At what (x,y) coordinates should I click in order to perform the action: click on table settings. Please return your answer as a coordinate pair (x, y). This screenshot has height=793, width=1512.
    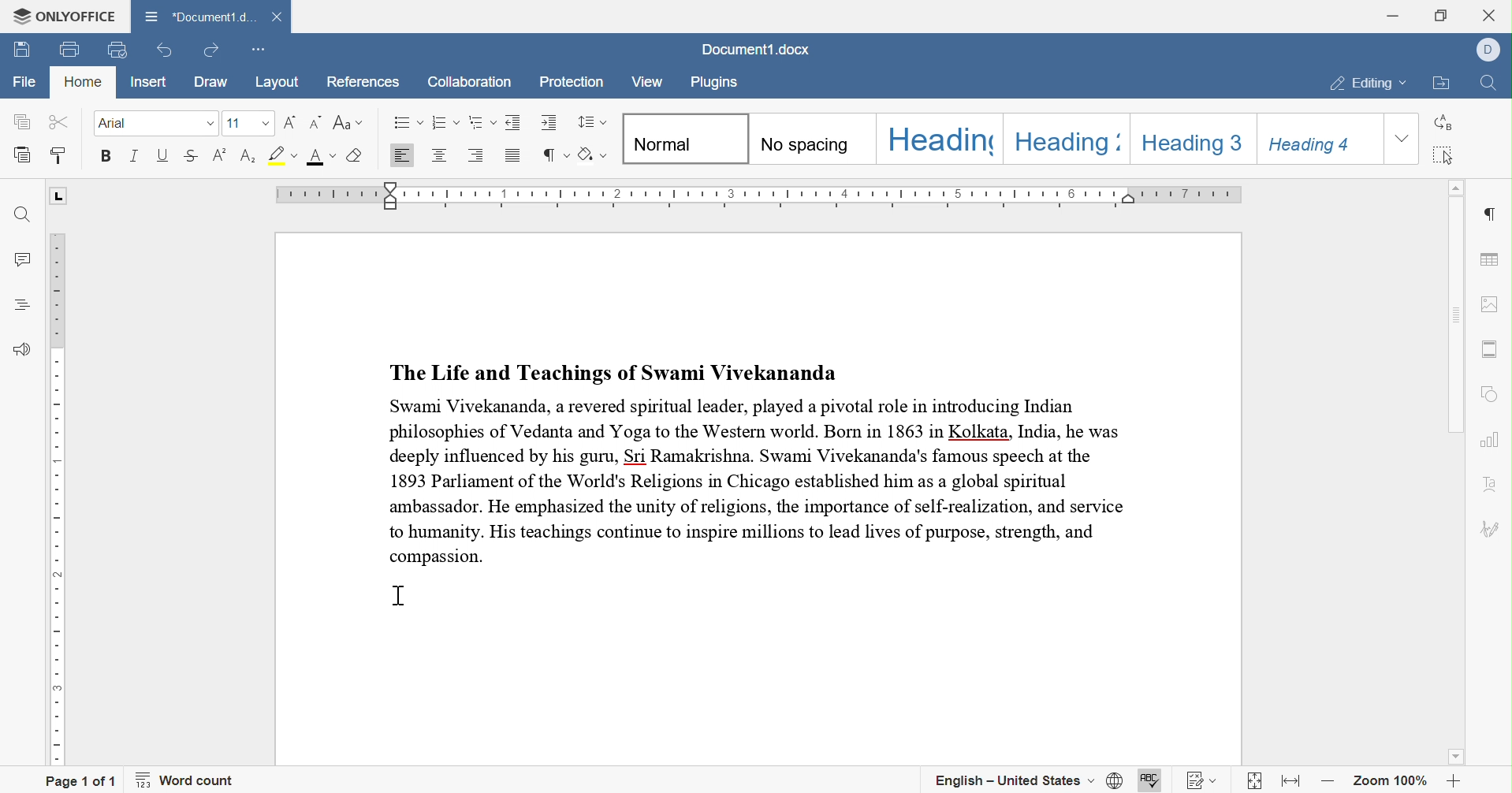
    Looking at the image, I should click on (1491, 261).